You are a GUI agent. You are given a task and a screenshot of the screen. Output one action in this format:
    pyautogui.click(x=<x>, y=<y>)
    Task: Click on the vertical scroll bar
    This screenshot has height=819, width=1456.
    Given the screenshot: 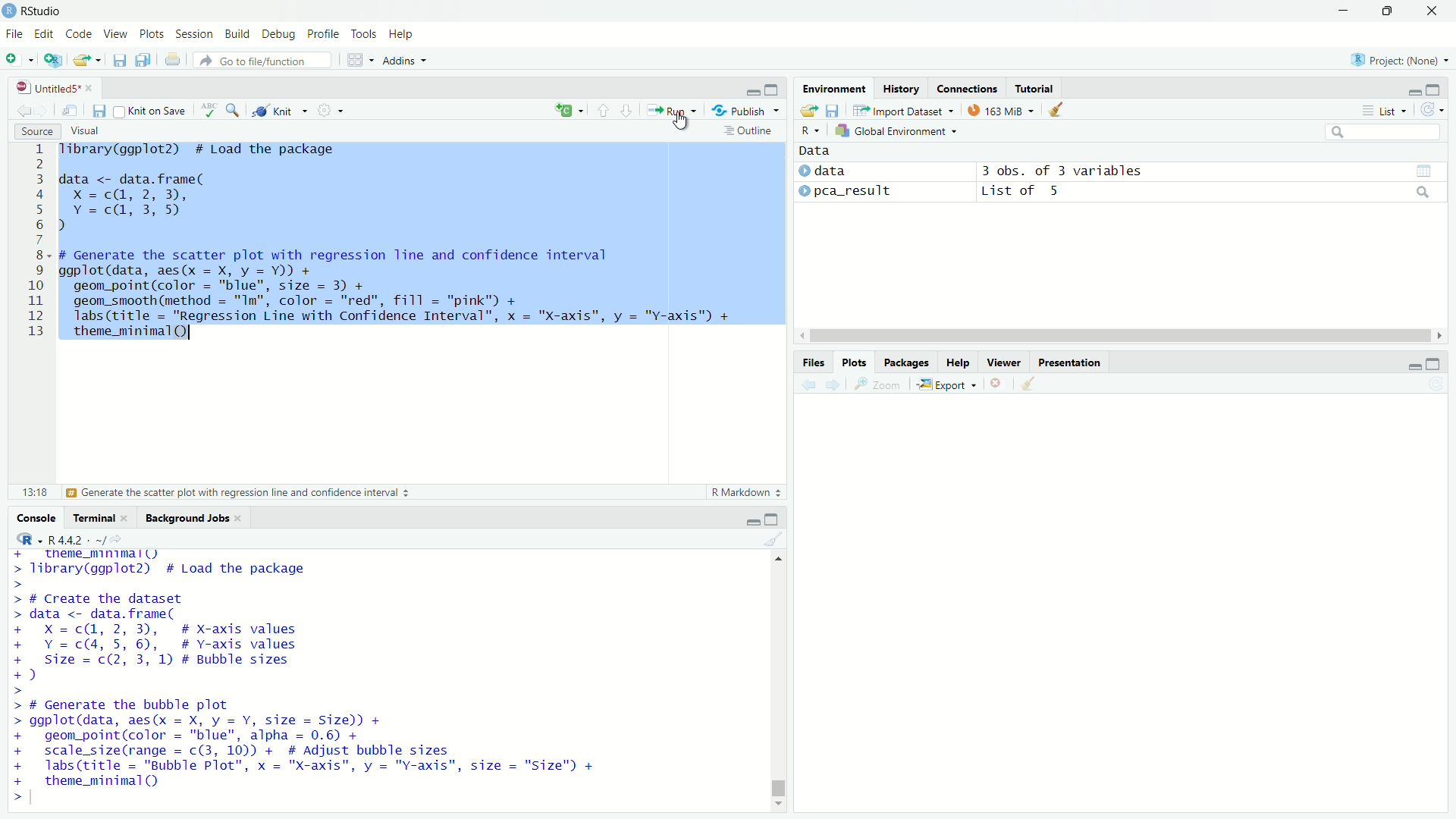 What is the action you would take?
    pyautogui.click(x=779, y=680)
    